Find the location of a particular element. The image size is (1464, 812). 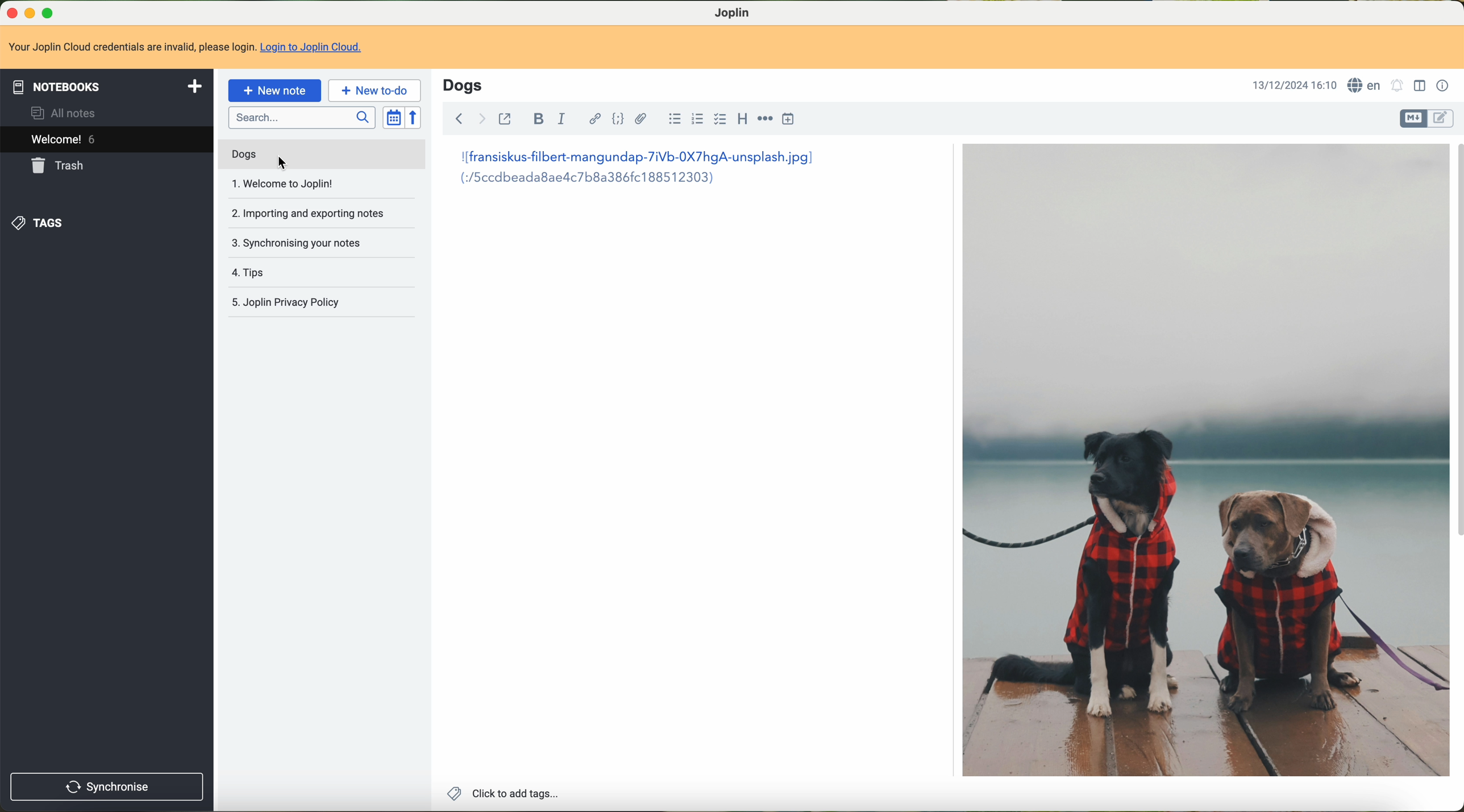

welcome is located at coordinates (107, 141).